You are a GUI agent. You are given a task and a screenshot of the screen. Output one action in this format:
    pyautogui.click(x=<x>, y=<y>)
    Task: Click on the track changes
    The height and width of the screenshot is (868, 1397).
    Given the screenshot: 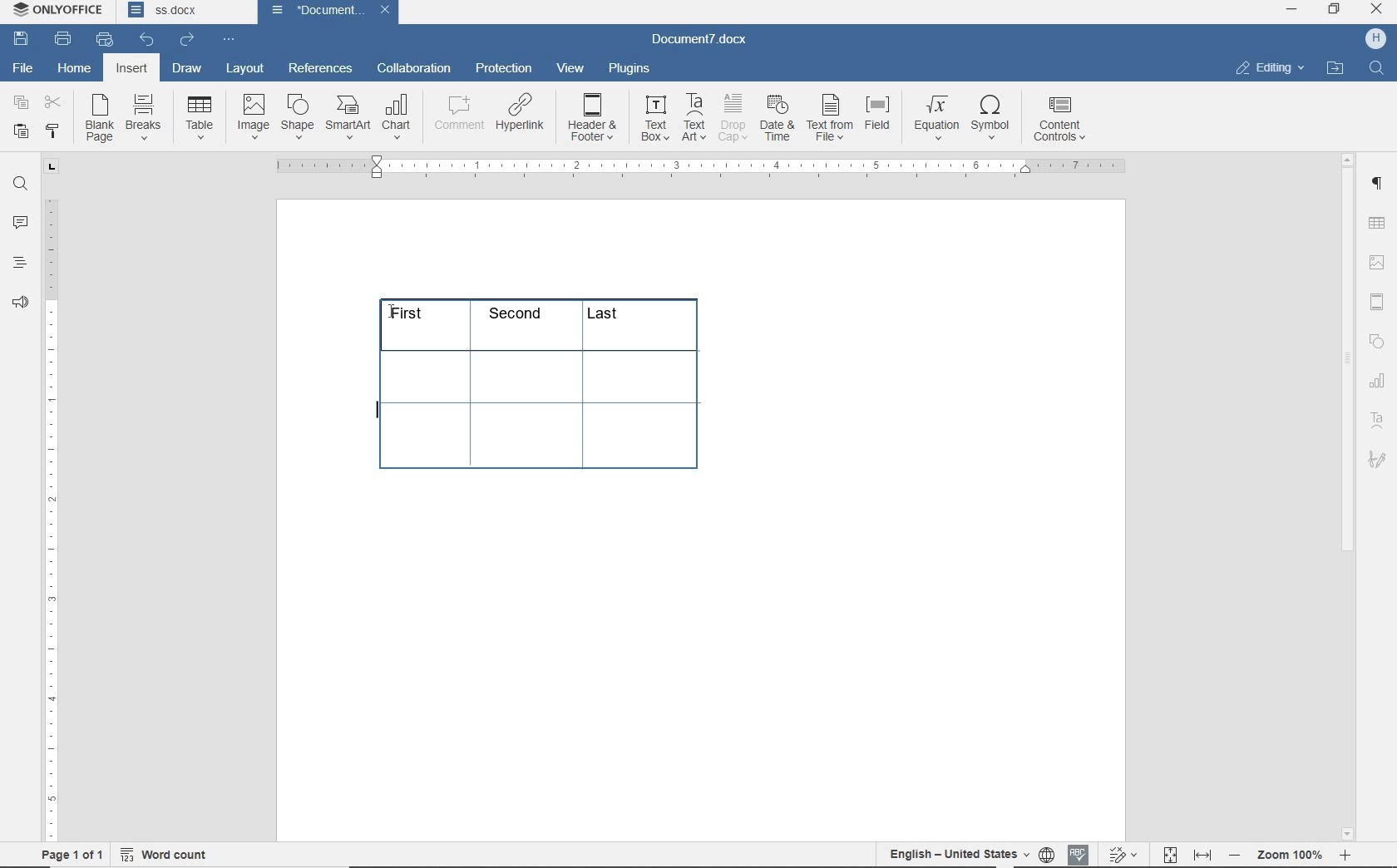 What is the action you would take?
    pyautogui.click(x=1125, y=853)
    